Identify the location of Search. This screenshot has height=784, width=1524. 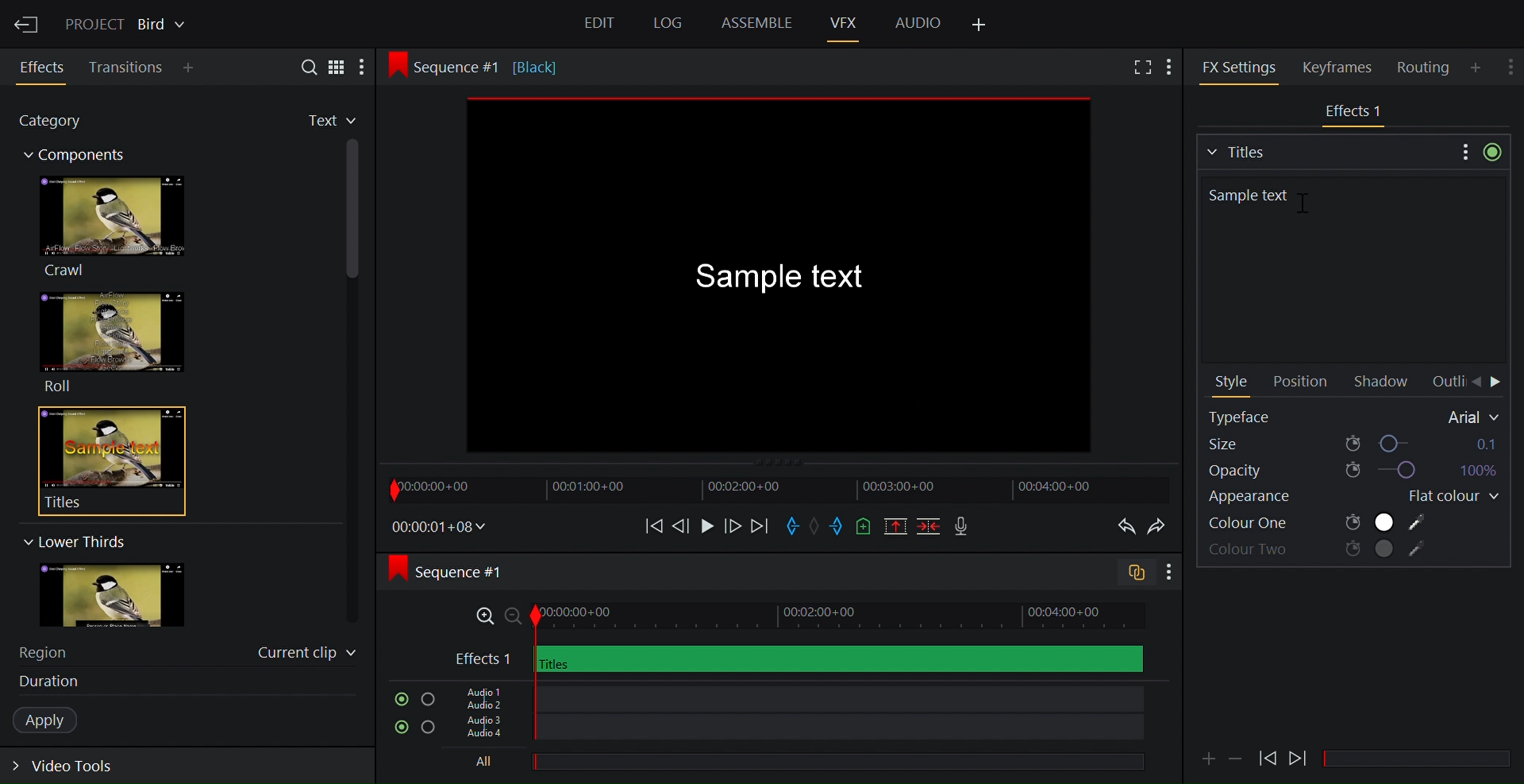
(302, 66).